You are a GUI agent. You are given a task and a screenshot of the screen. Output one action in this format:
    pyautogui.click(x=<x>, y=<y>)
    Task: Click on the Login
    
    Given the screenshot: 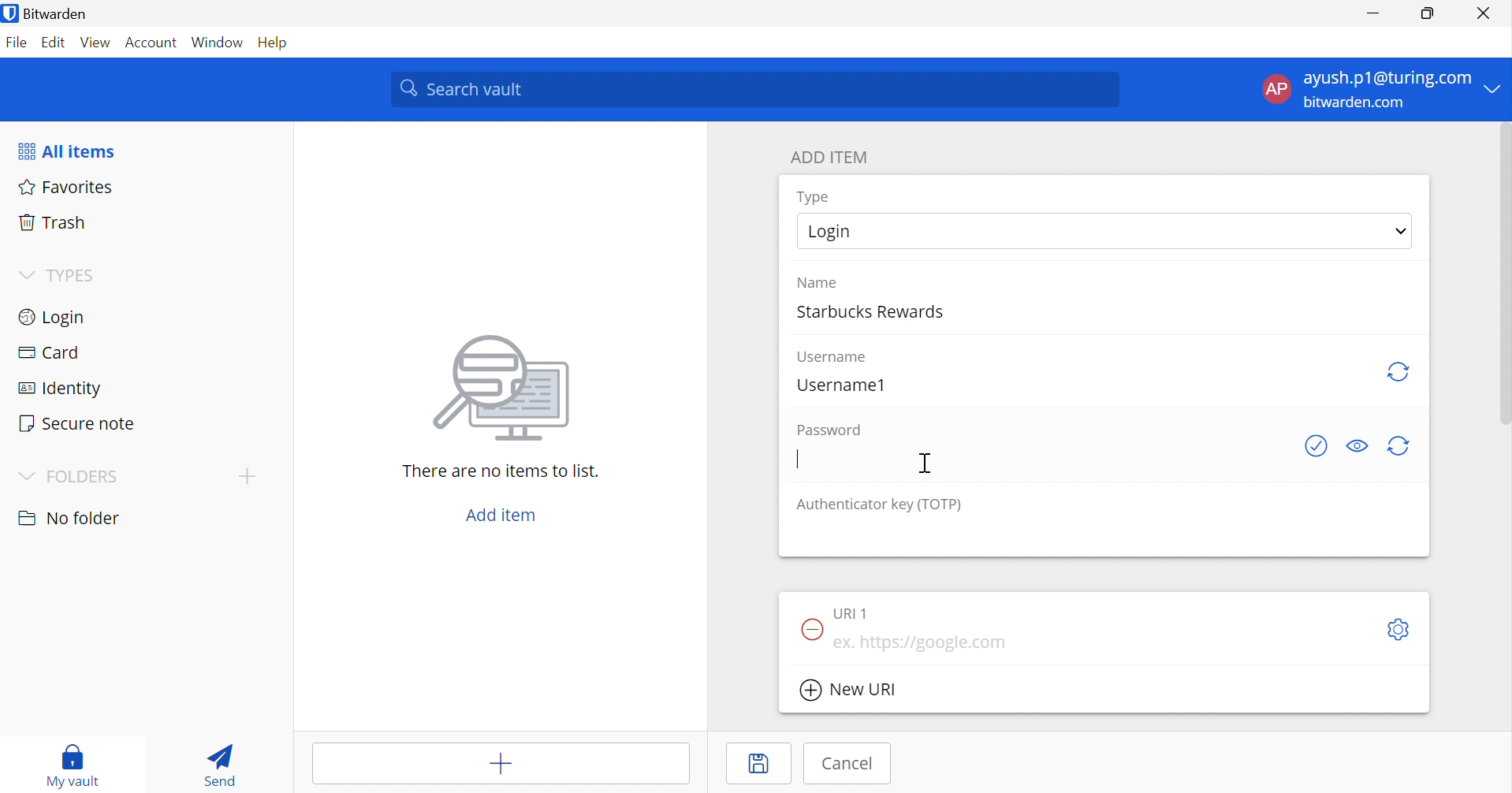 What is the action you would take?
    pyautogui.click(x=50, y=319)
    